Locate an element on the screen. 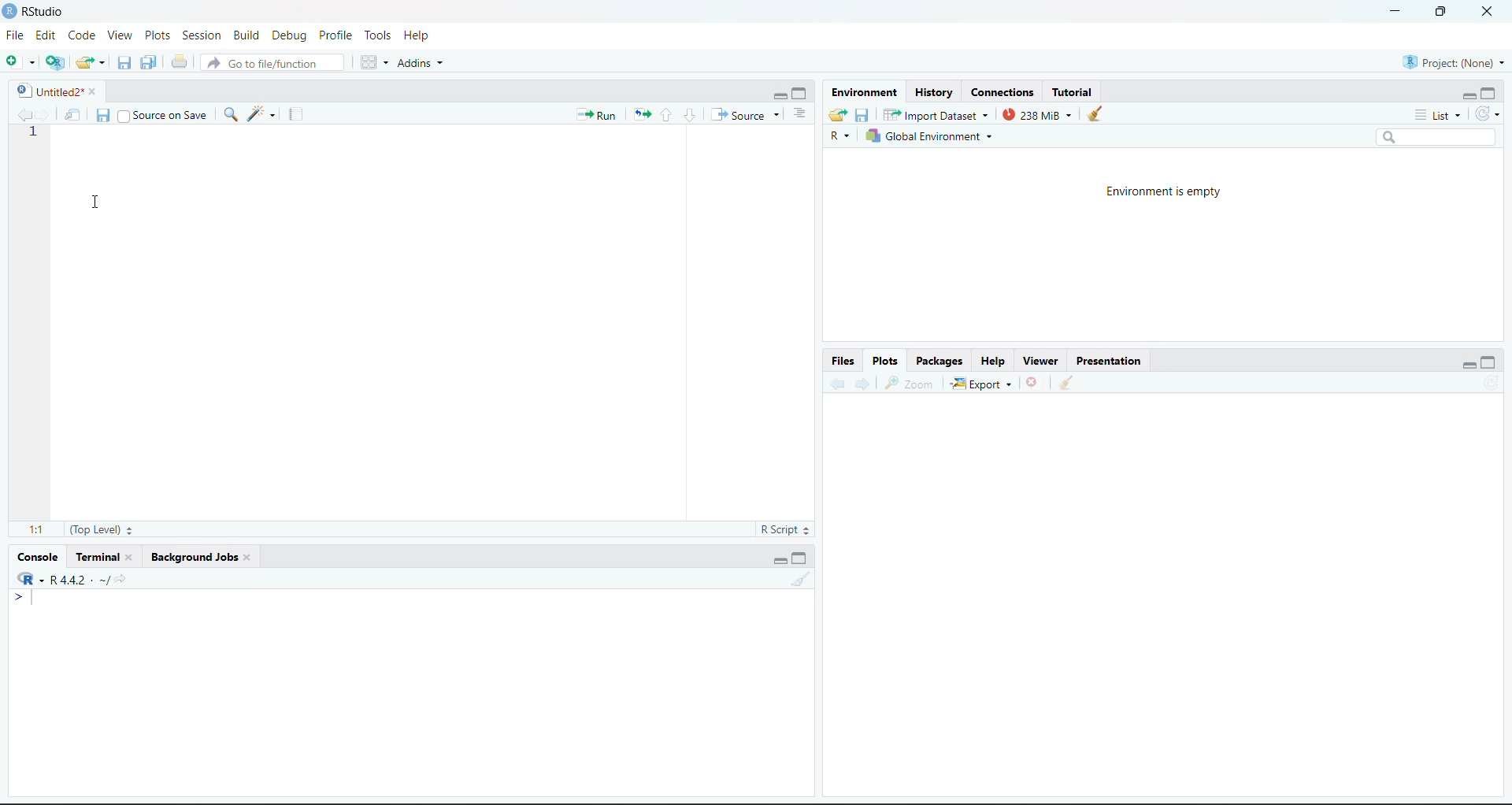  Untitled 2 is located at coordinates (47, 91).